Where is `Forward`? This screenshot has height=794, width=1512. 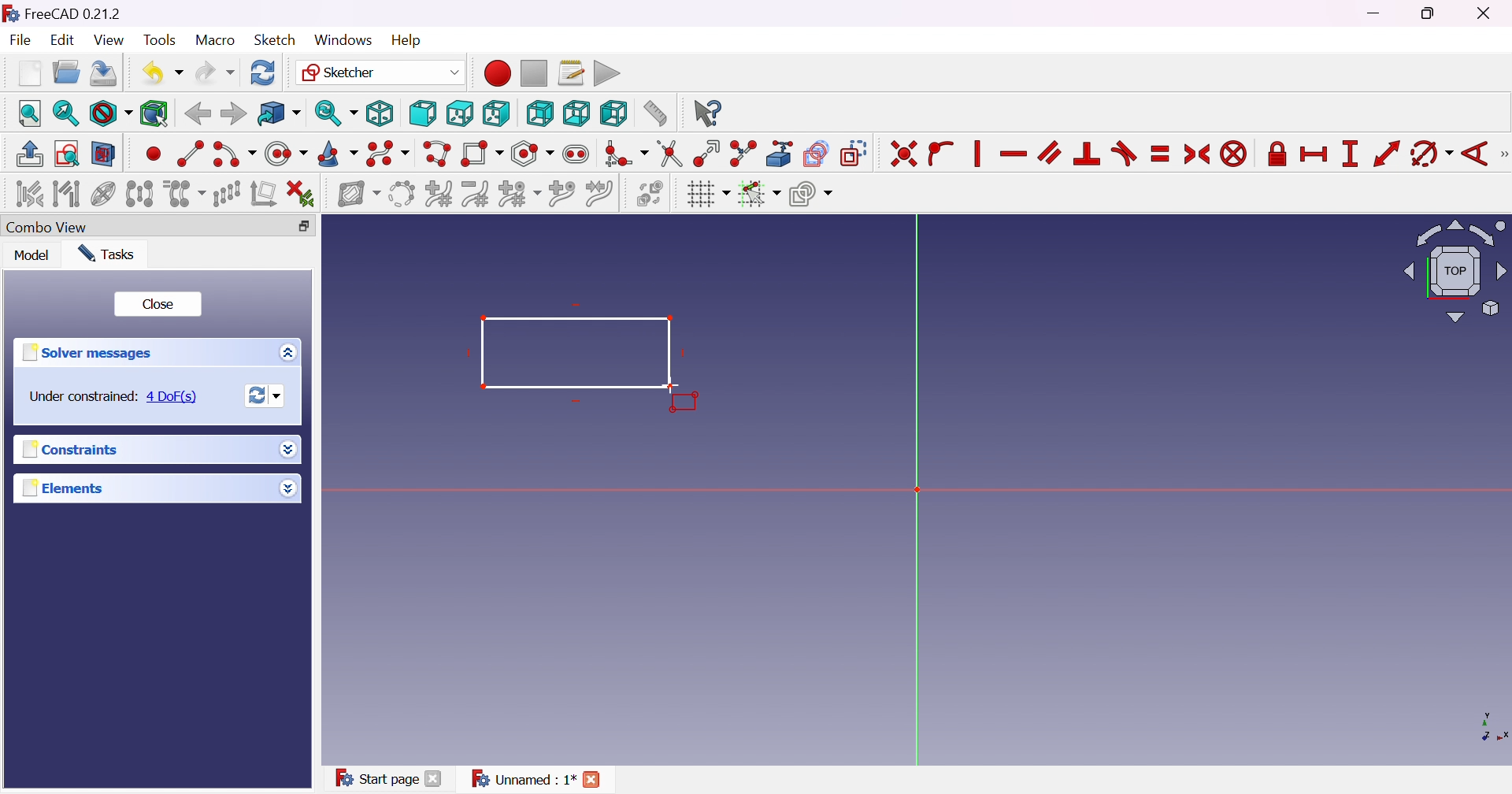
Forward is located at coordinates (234, 113).